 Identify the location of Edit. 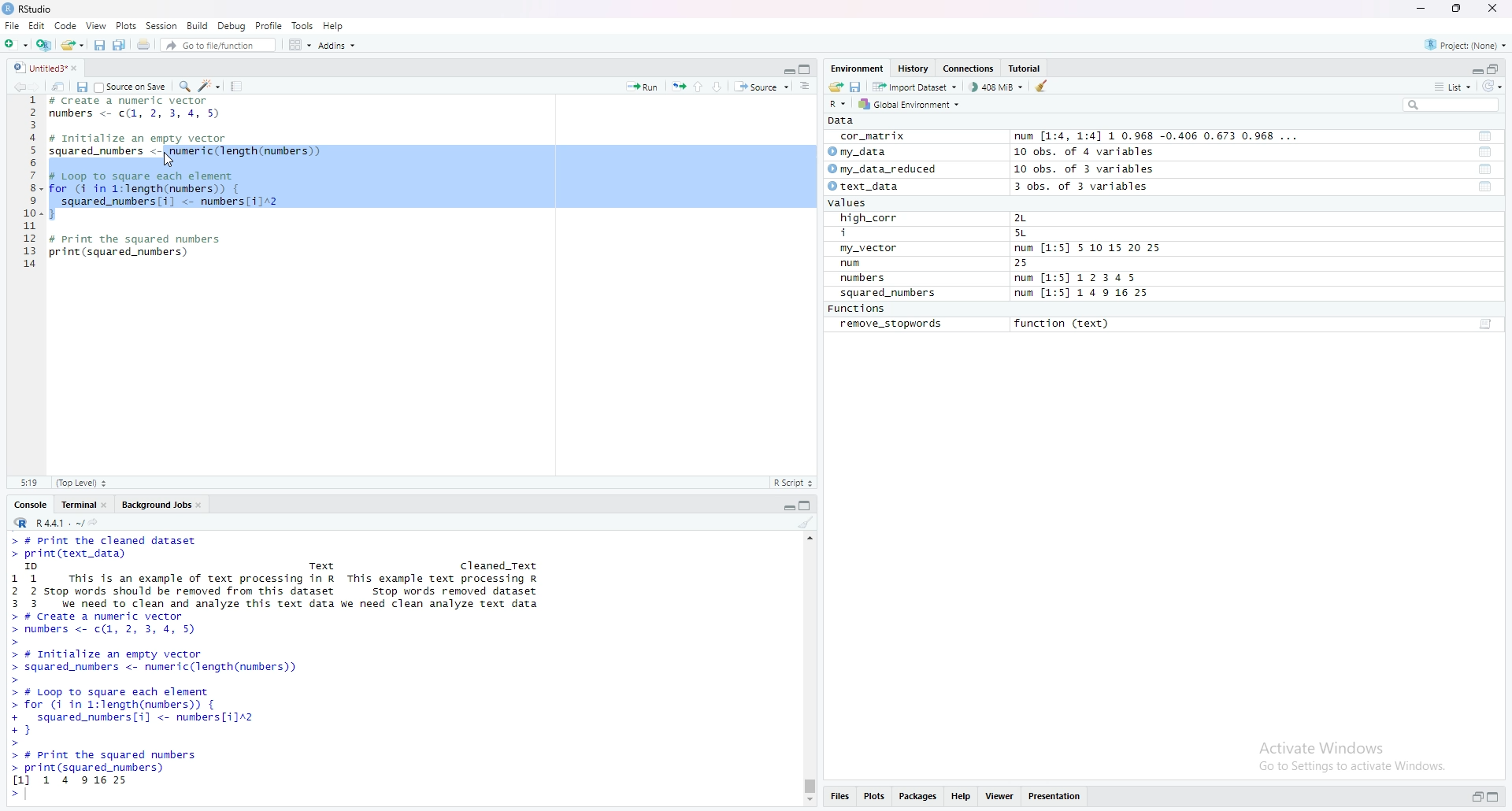
(36, 25).